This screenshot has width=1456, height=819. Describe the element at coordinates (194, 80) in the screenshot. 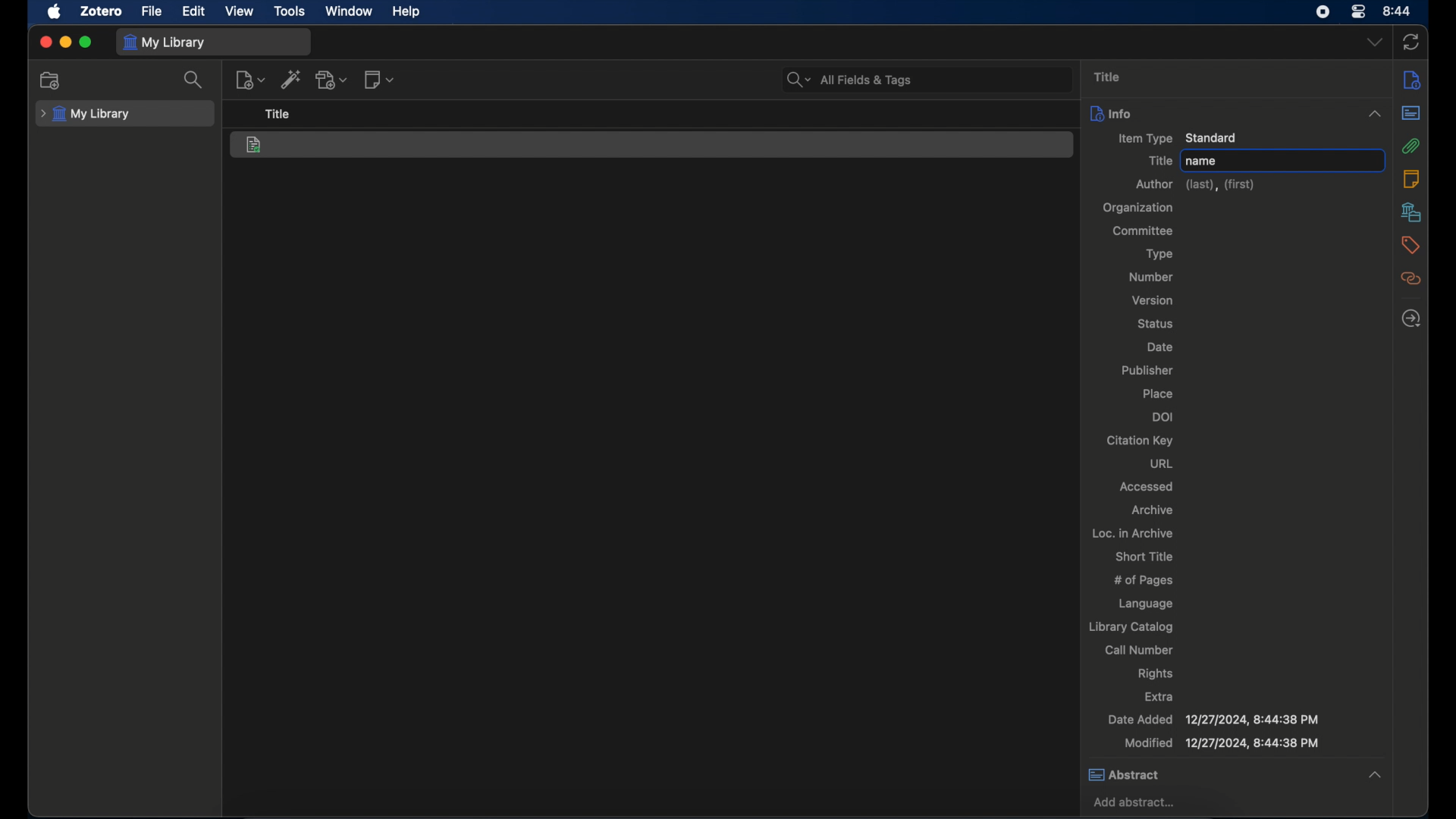

I see `search` at that location.